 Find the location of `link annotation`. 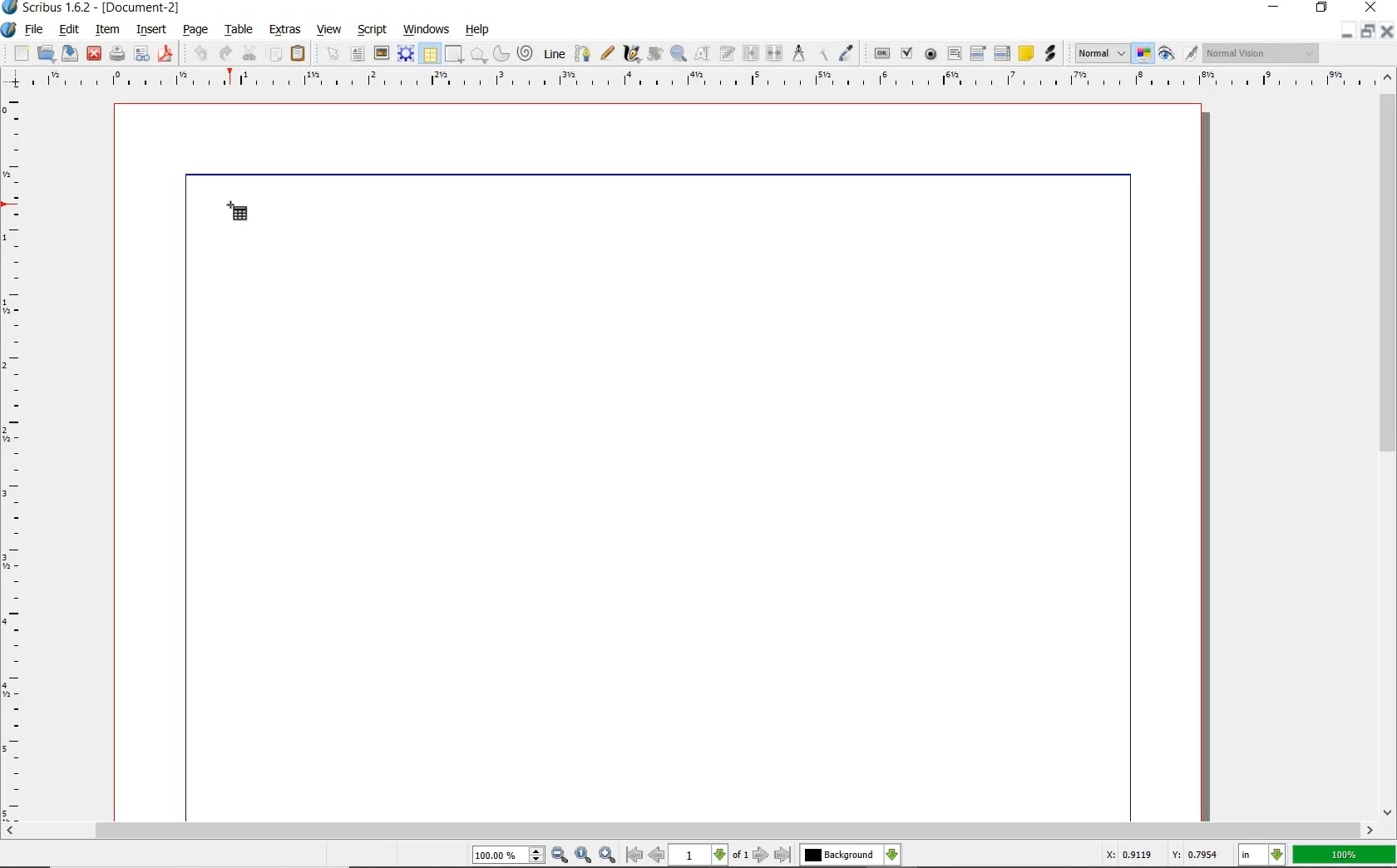

link annotation is located at coordinates (1054, 54).